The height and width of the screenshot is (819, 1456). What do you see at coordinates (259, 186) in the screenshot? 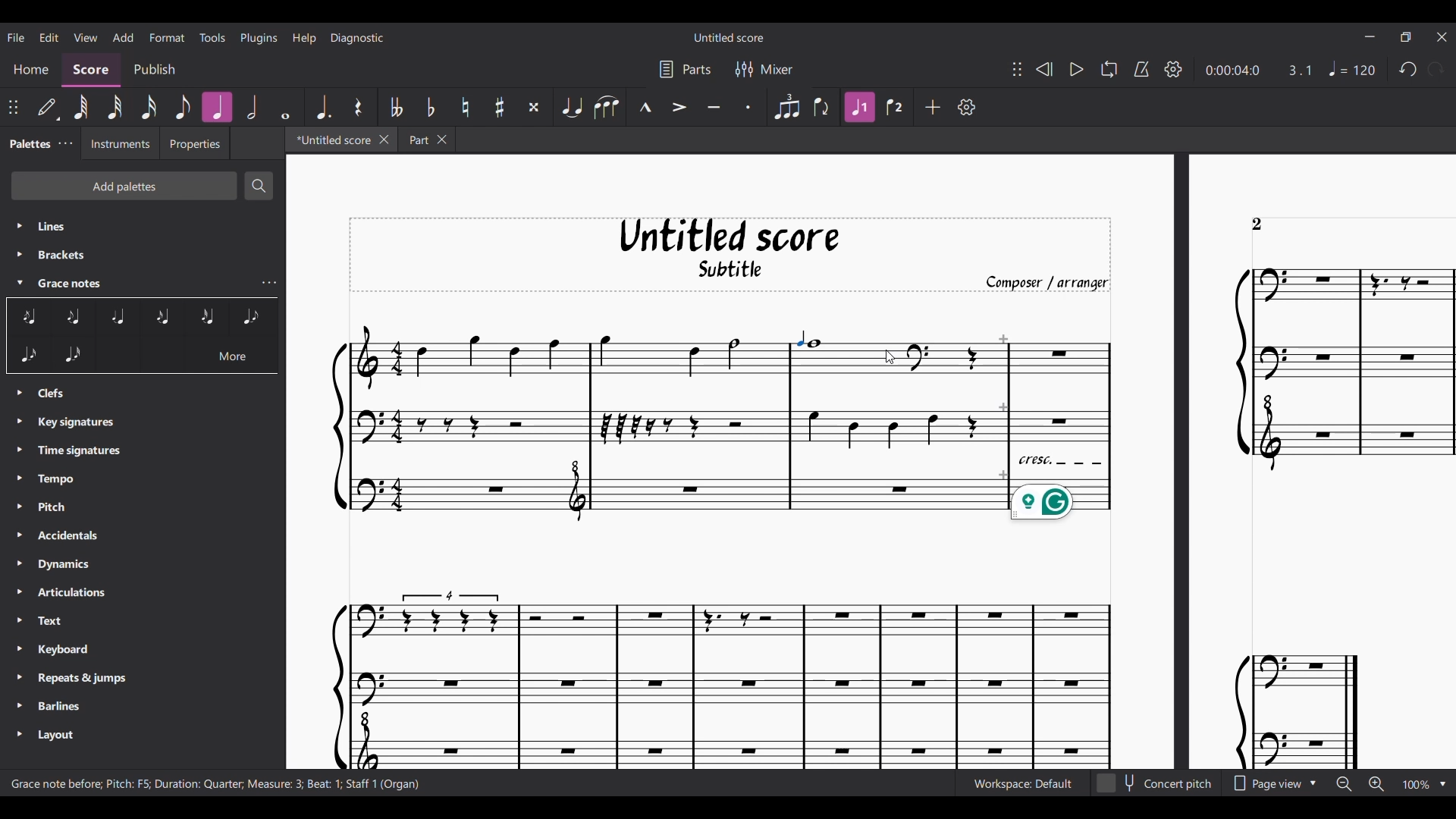
I see `Search palette` at bounding box center [259, 186].